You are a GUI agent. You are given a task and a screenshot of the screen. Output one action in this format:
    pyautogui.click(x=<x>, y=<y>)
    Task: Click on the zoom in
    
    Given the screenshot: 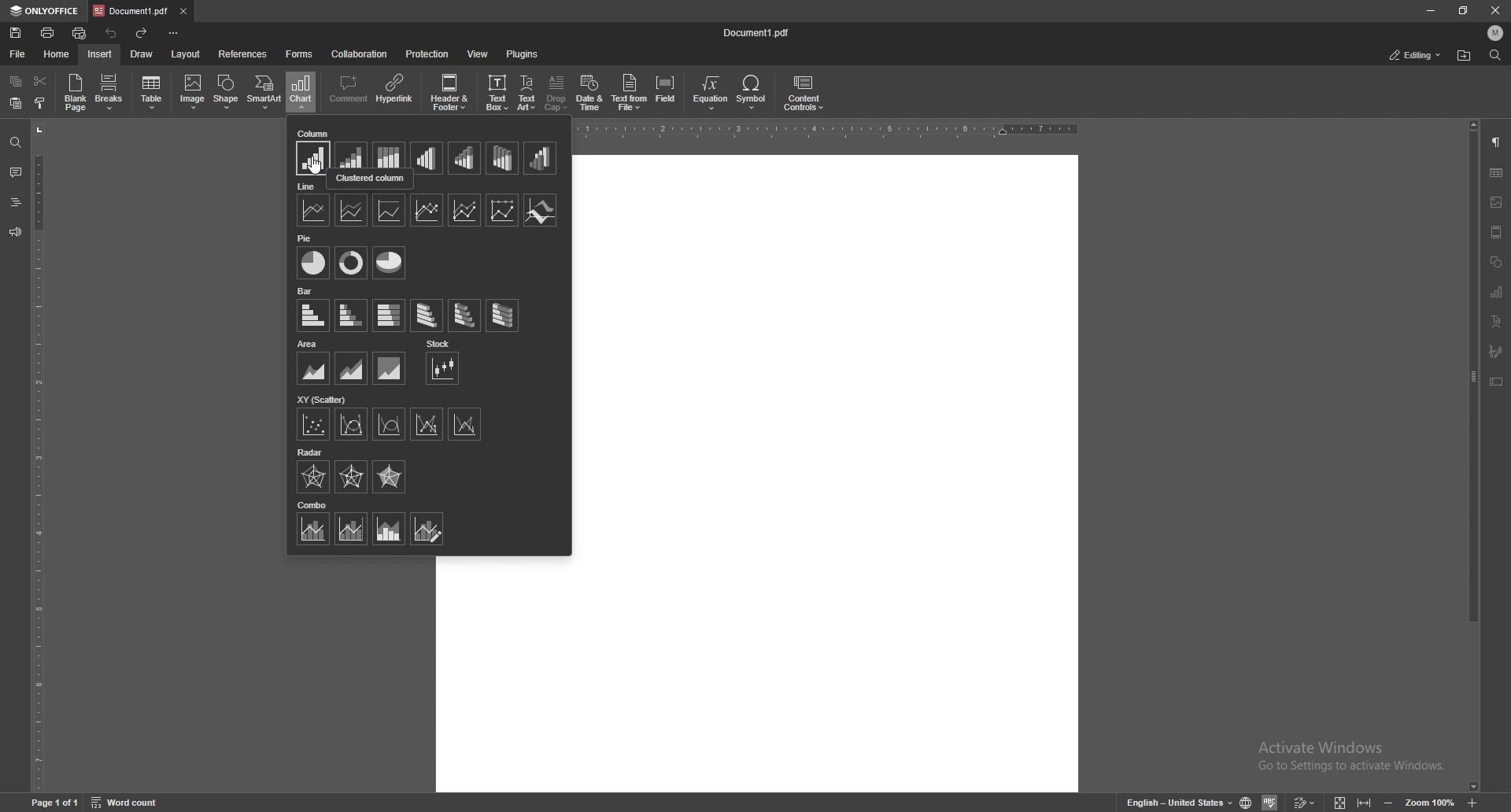 What is the action you would take?
    pyautogui.click(x=1475, y=803)
    